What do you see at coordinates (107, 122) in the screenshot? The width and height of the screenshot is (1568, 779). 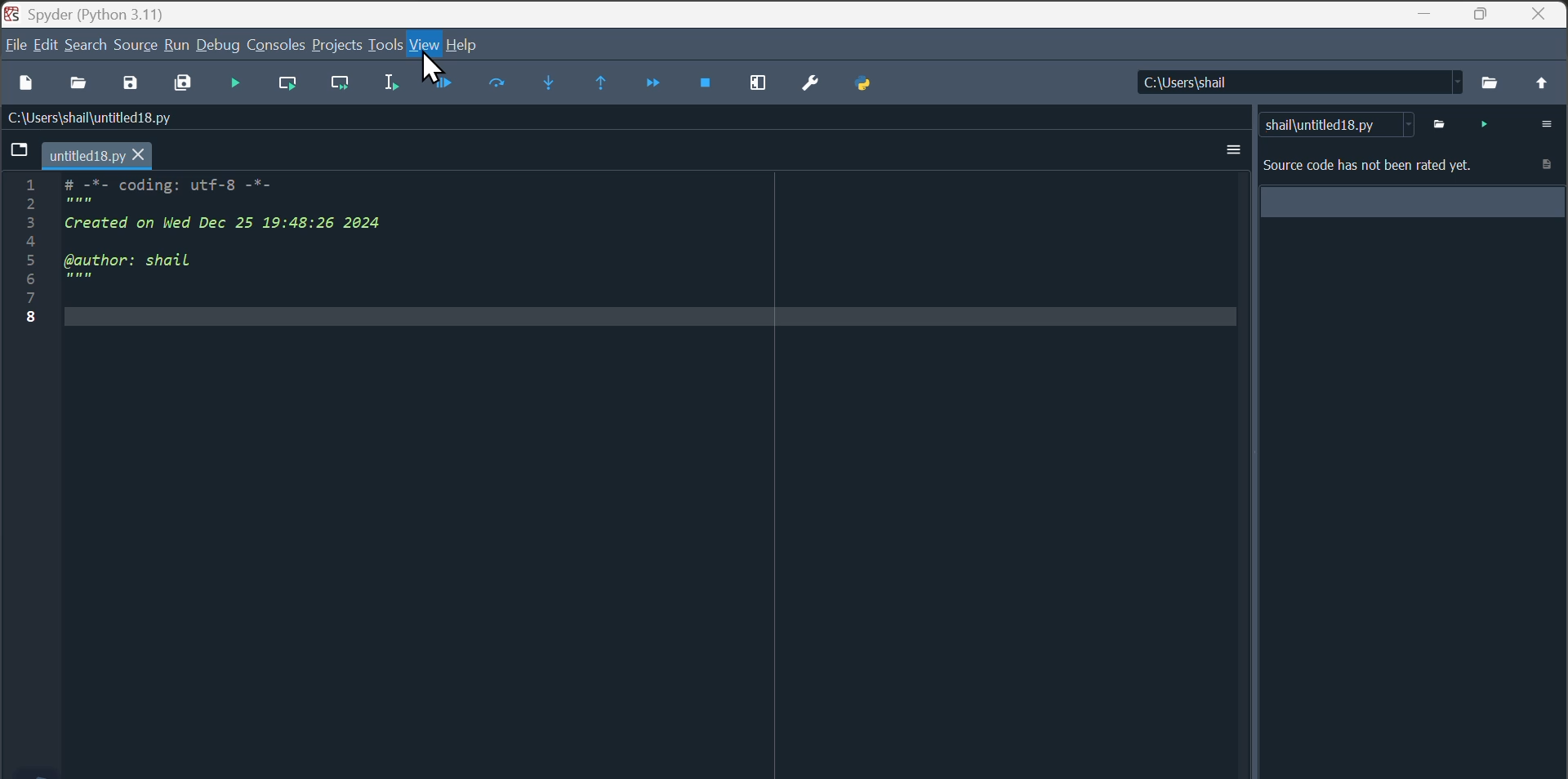 I see `C:\Users\shail\untitled18.py` at bounding box center [107, 122].